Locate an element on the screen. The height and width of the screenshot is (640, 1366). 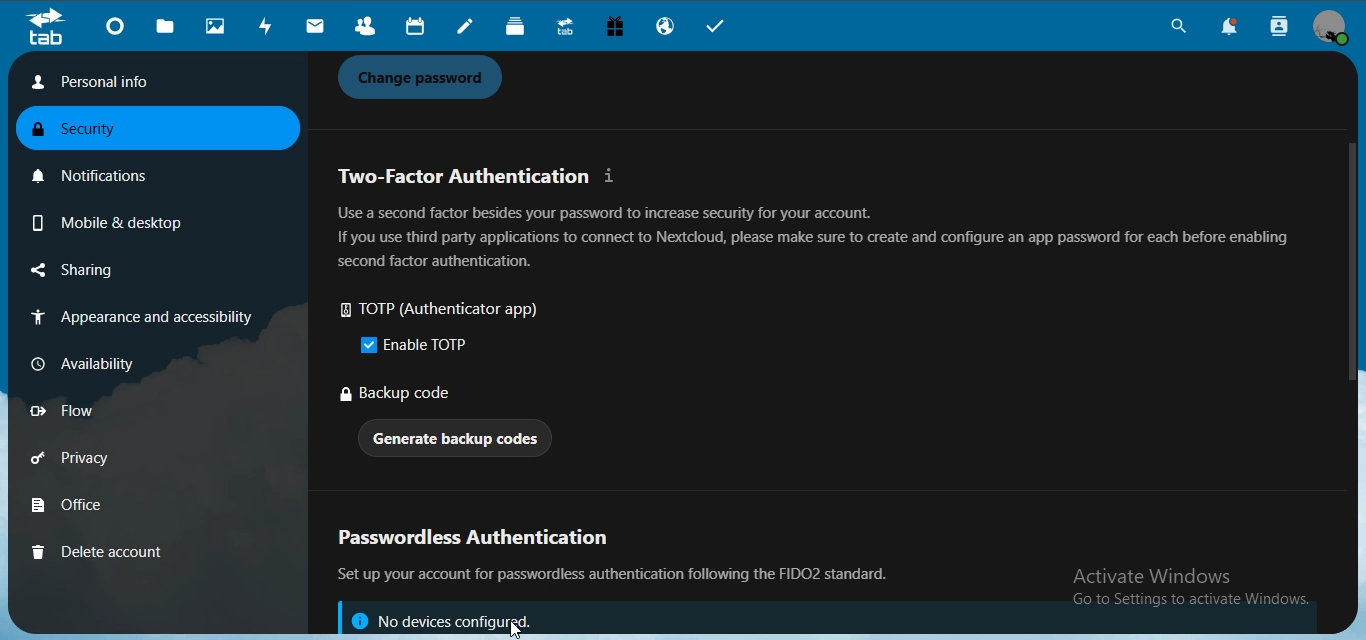
privacy is located at coordinates (98, 461).